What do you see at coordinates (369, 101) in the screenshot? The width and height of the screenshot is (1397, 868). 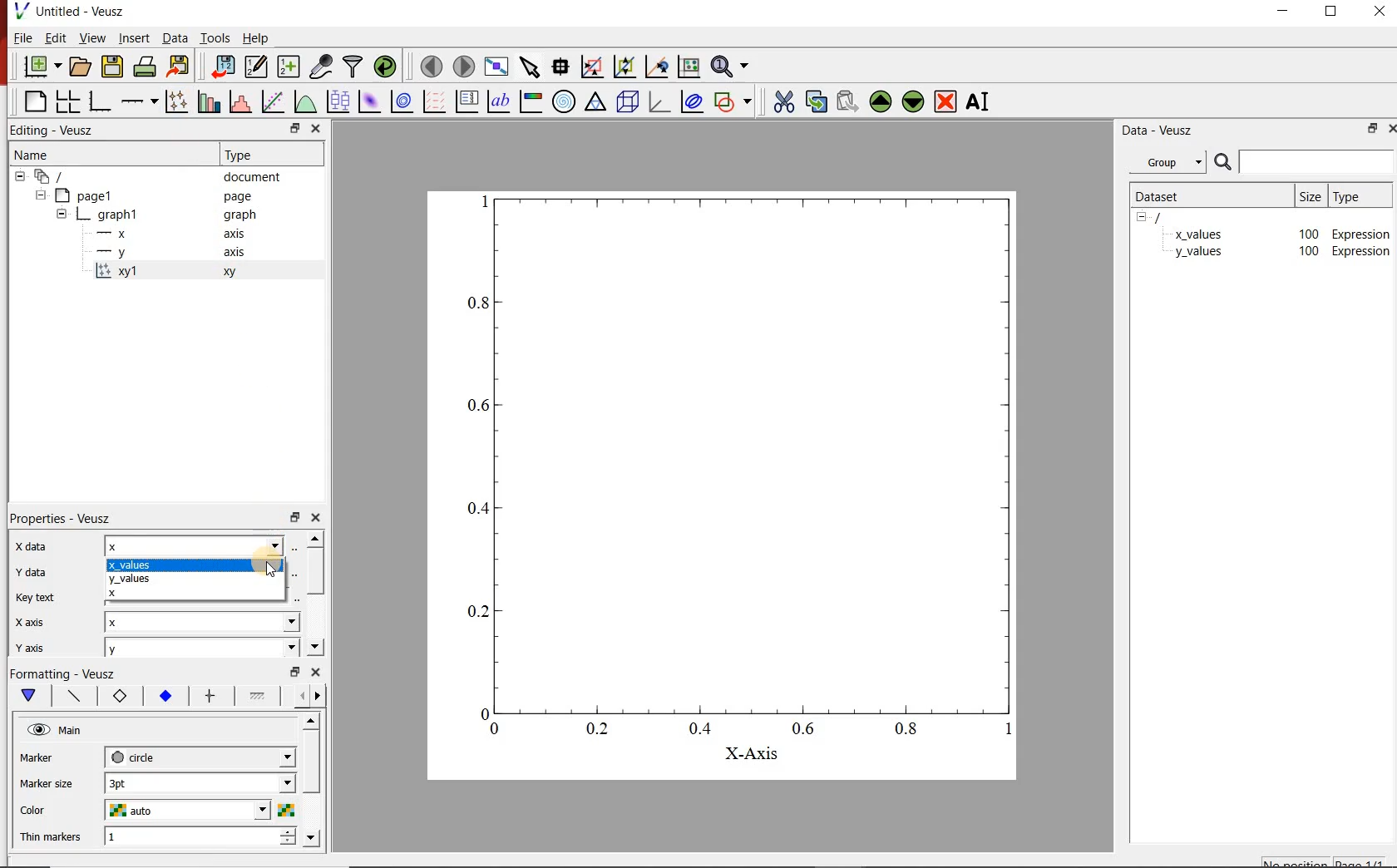 I see `plot 2d dataset as an image` at bounding box center [369, 101].